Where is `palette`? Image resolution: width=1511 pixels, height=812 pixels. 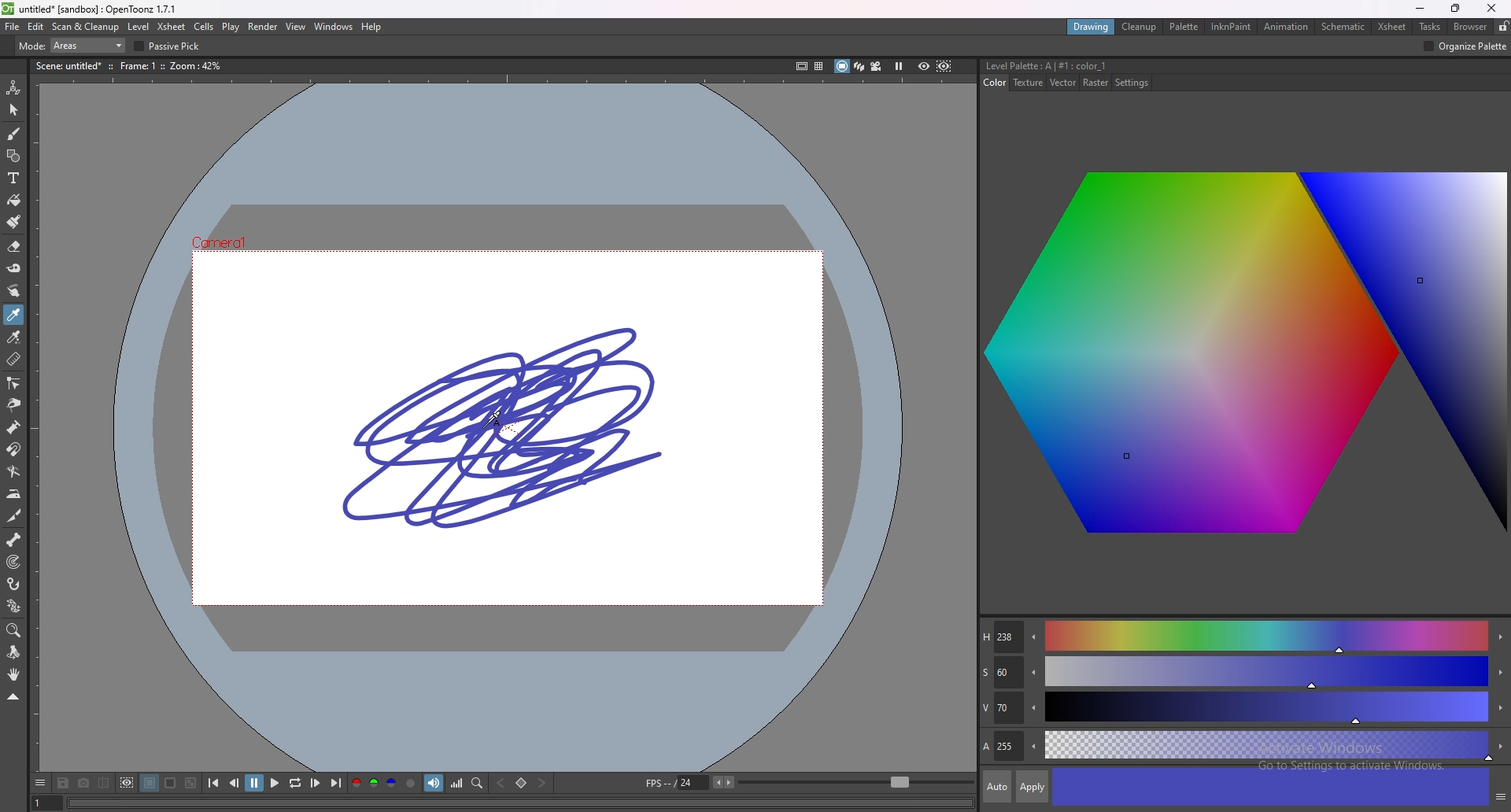
palette is located at coordinates (1184, 26).